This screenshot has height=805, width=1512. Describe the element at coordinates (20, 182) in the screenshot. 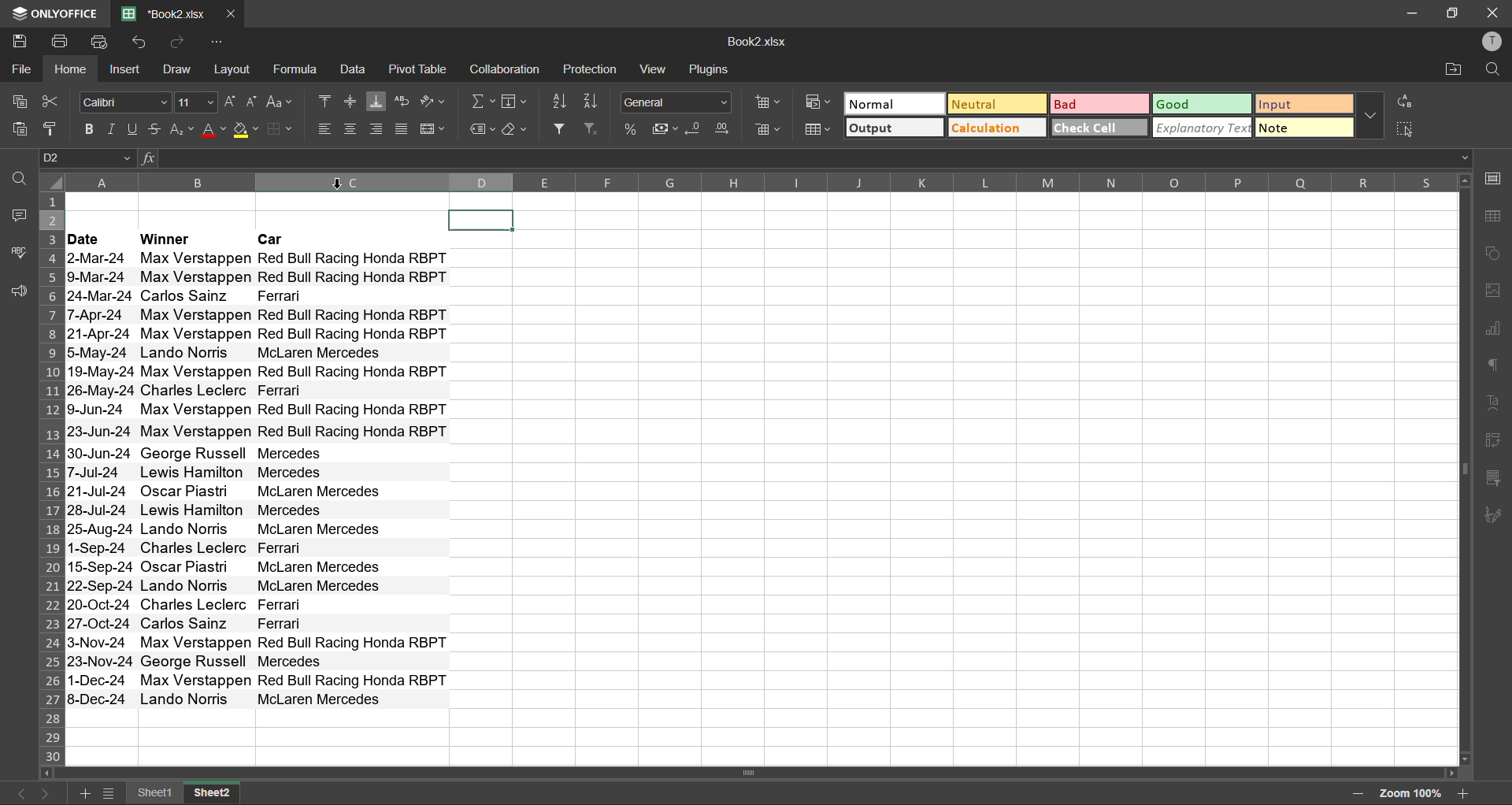

I see `find` at that location.